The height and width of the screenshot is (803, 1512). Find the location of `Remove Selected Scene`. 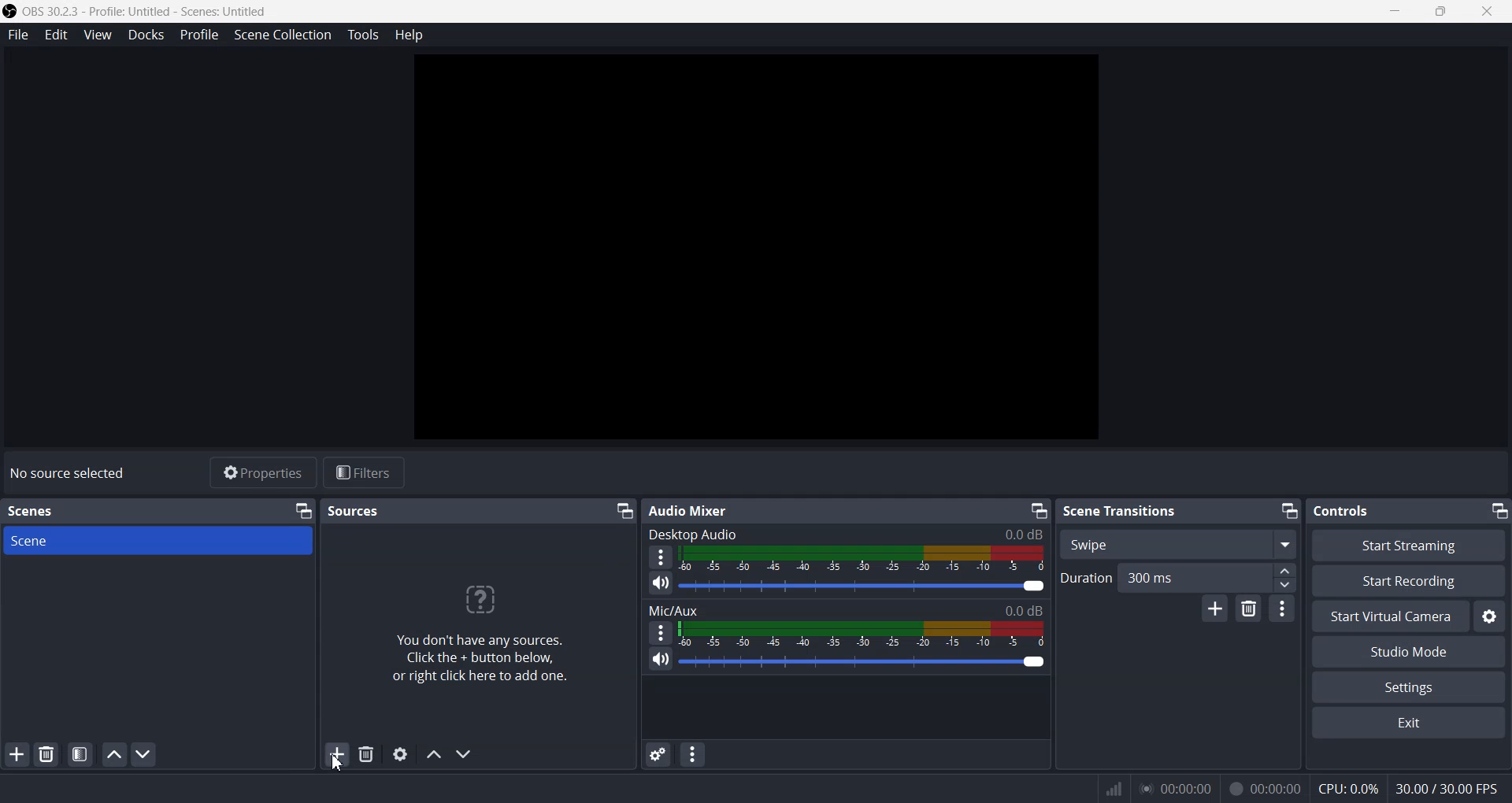

Remove Selected Scene is located at coordinates (46, 754).